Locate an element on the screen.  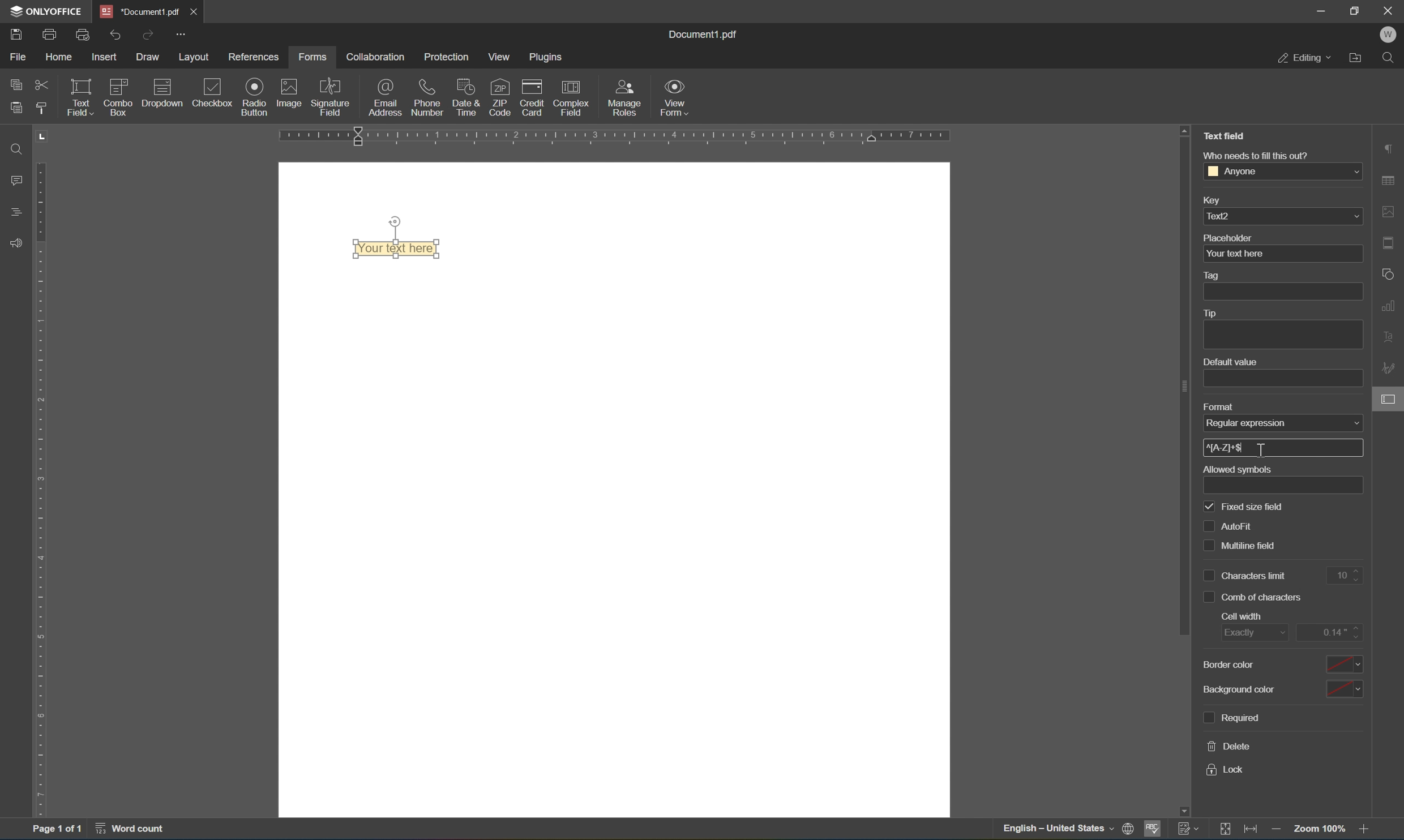
form settings is located at coordinates (1389, 404).